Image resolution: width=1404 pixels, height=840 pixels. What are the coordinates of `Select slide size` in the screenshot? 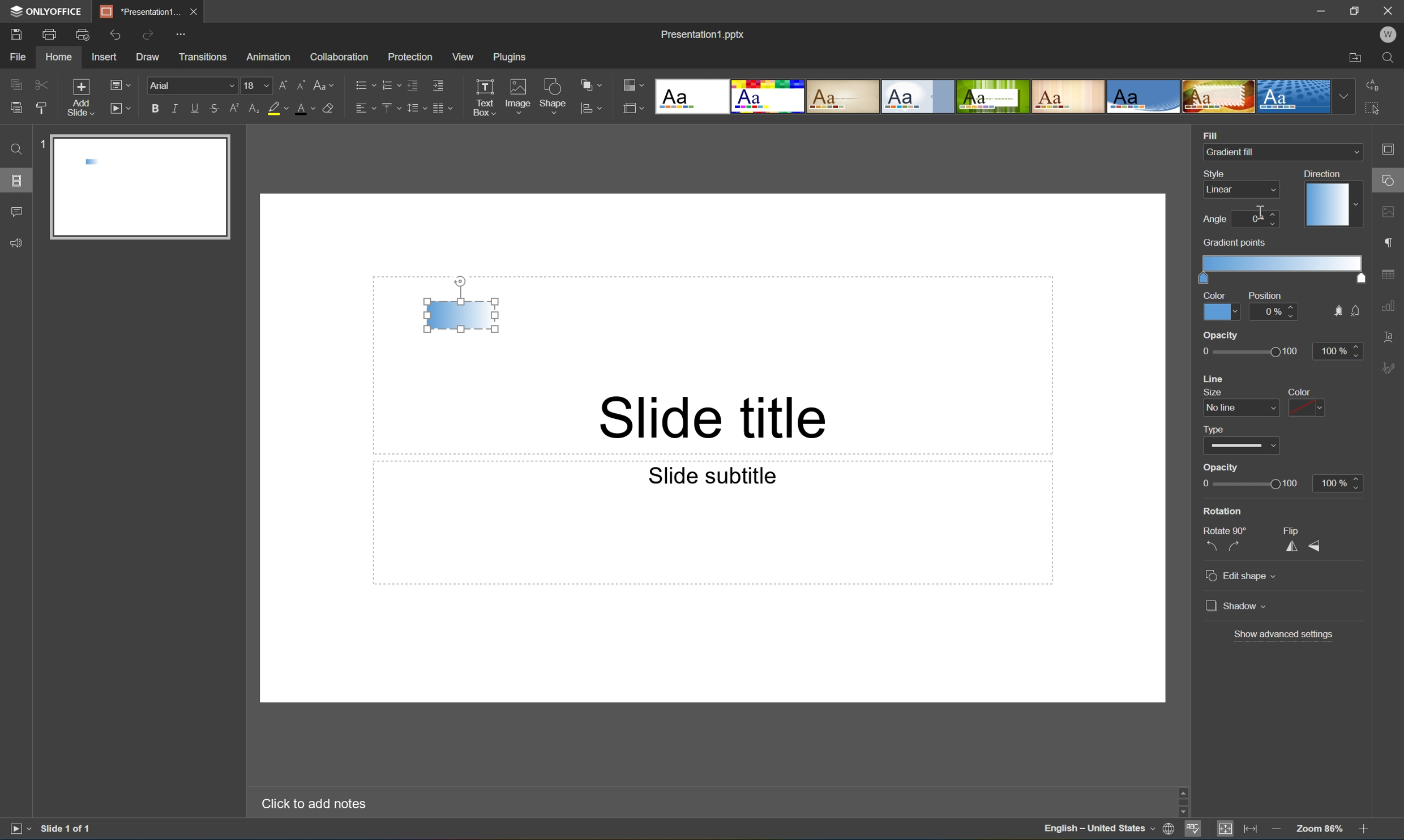 It's located at (633, 110).